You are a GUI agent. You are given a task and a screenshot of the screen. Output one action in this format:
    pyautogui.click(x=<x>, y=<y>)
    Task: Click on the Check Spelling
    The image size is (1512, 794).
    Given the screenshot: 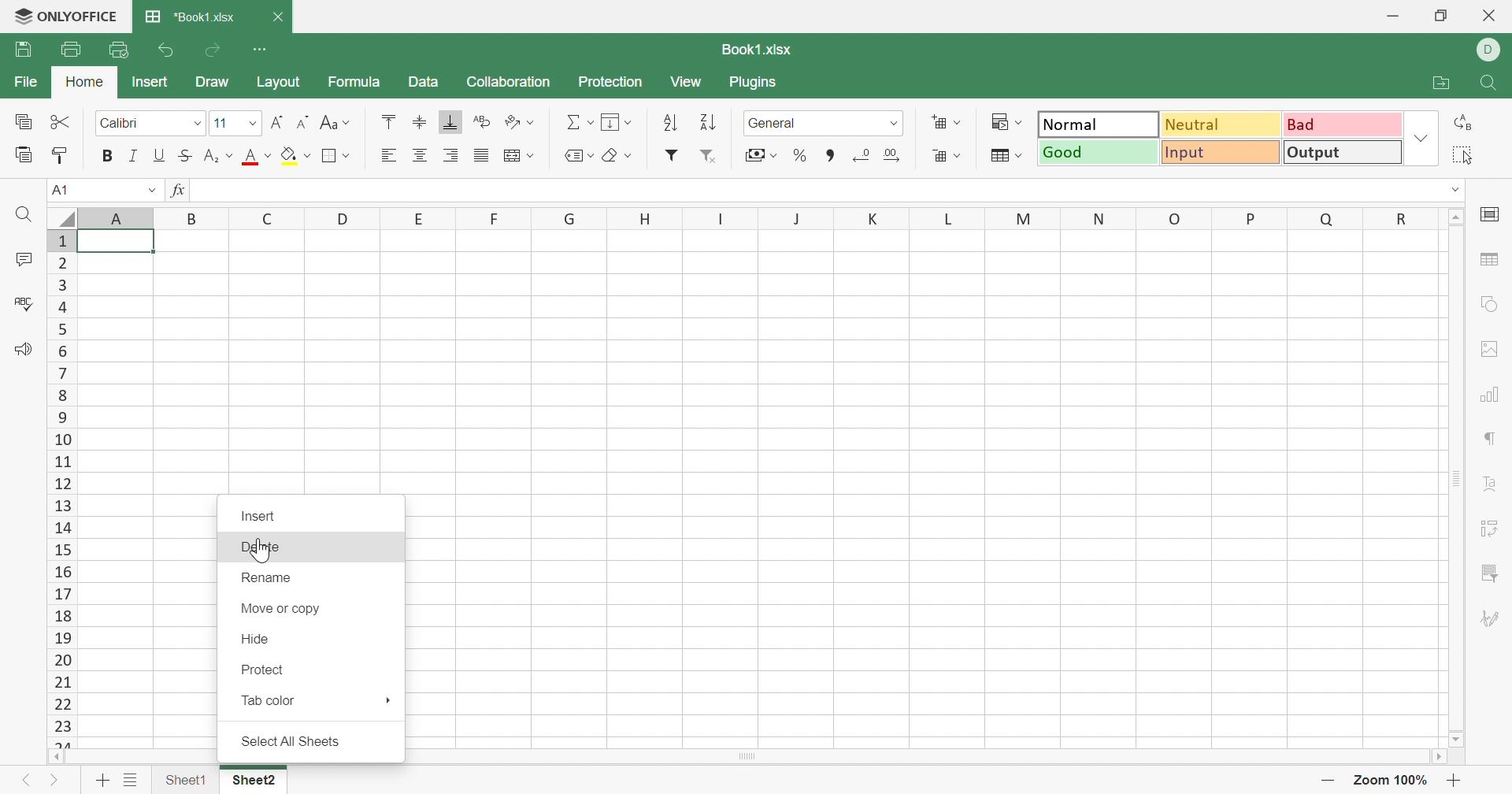 What is the action you would take?
    pyautogui.click(x=24, y=303)
    